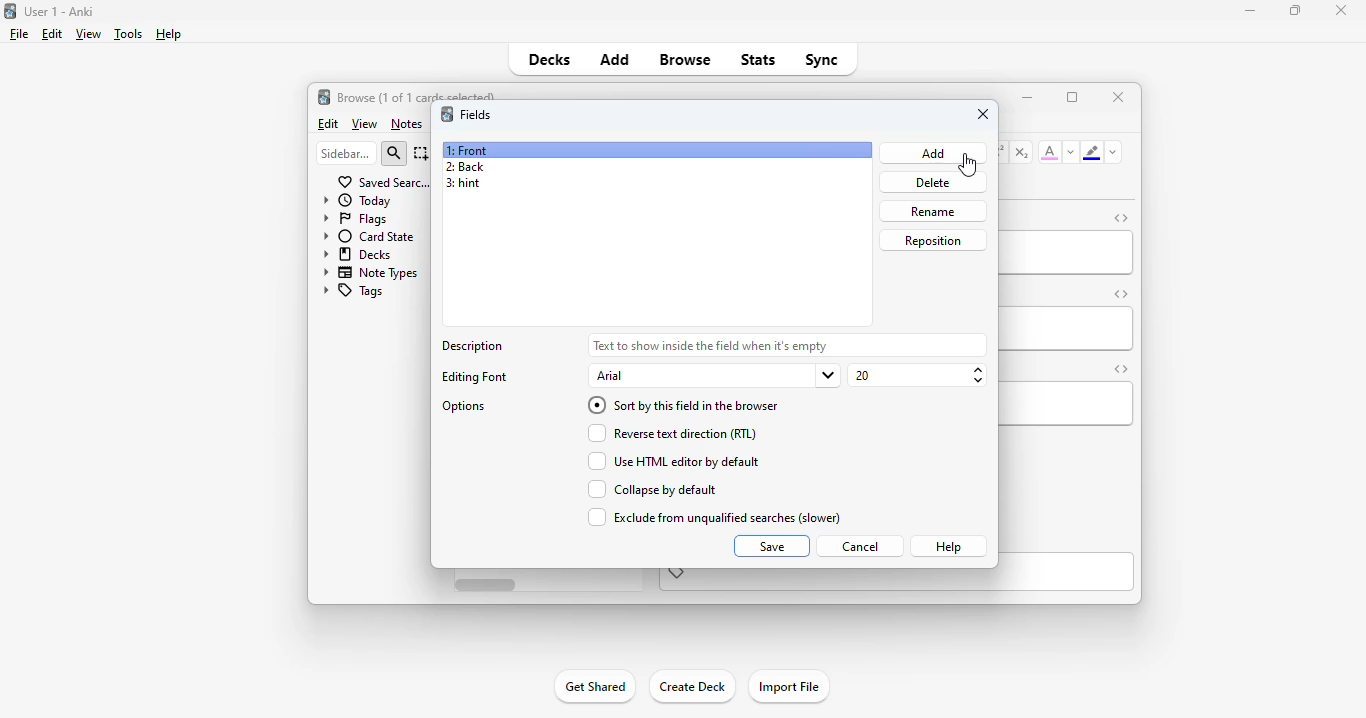 This screenshot has width=1366, height=718. I want to click on card state, so click(368, 236).